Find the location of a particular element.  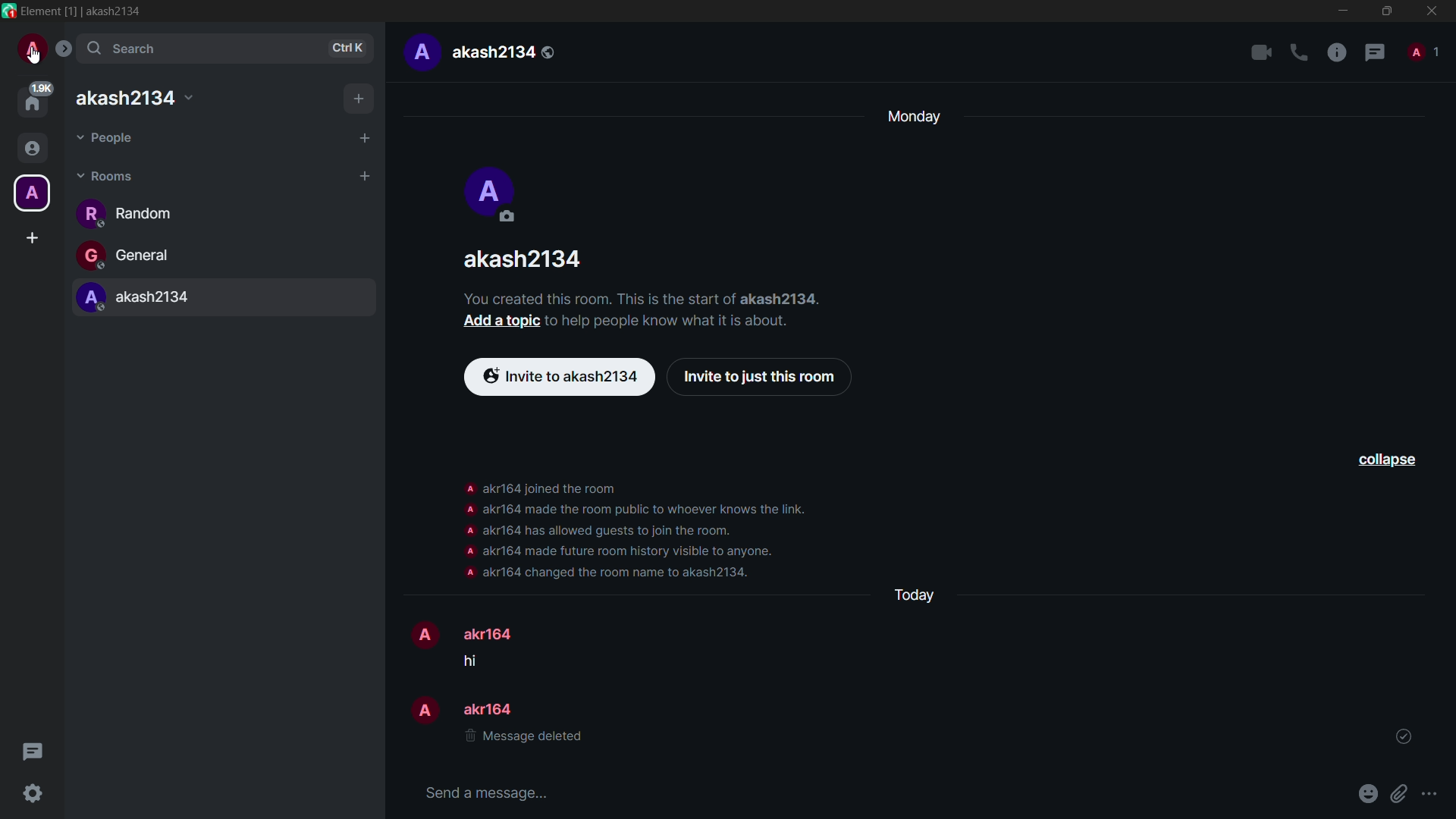

to help people know what it is about. is located at coordinates (681, 319).